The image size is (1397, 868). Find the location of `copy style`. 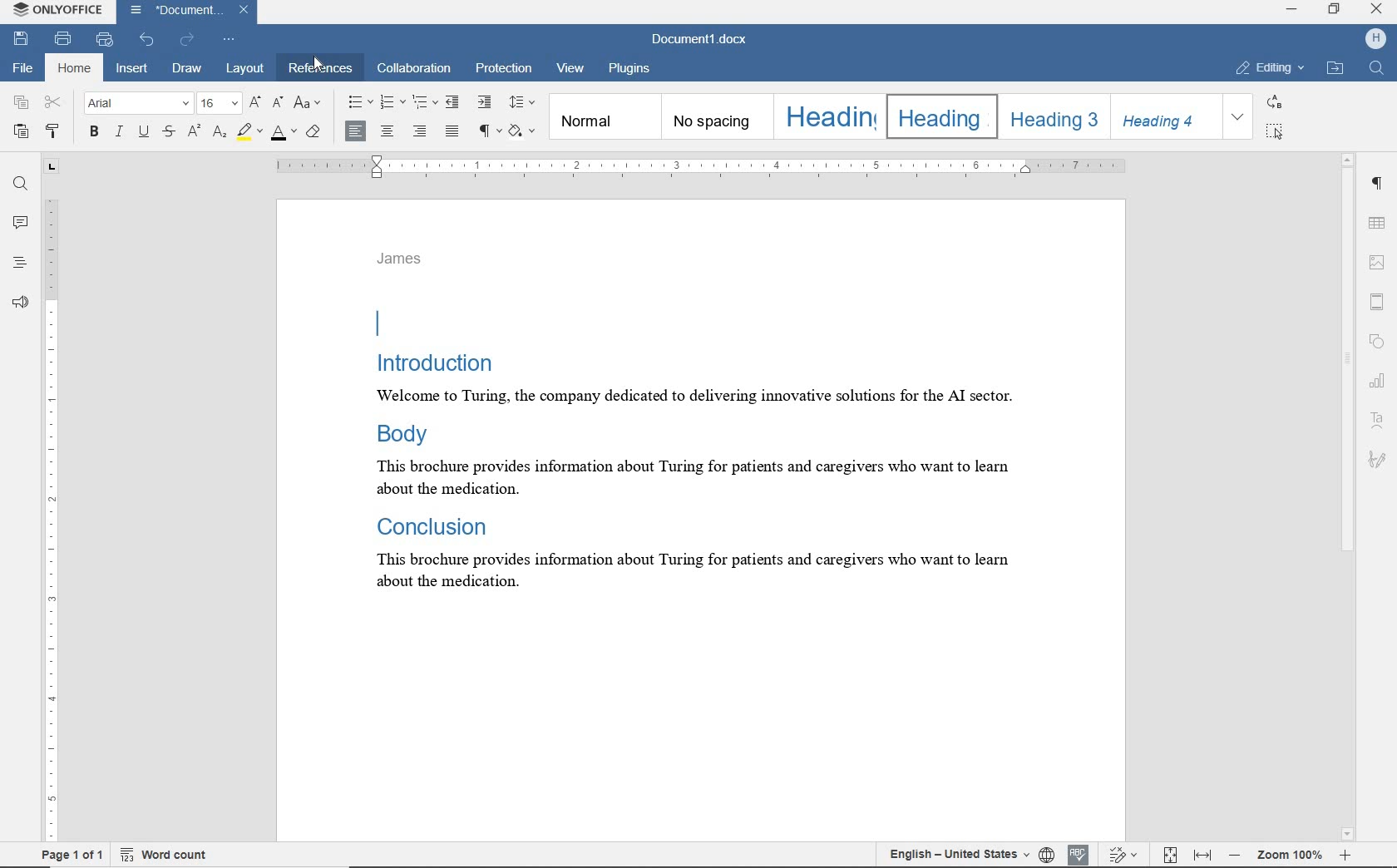

copy style is located at coordinates (55, 129).